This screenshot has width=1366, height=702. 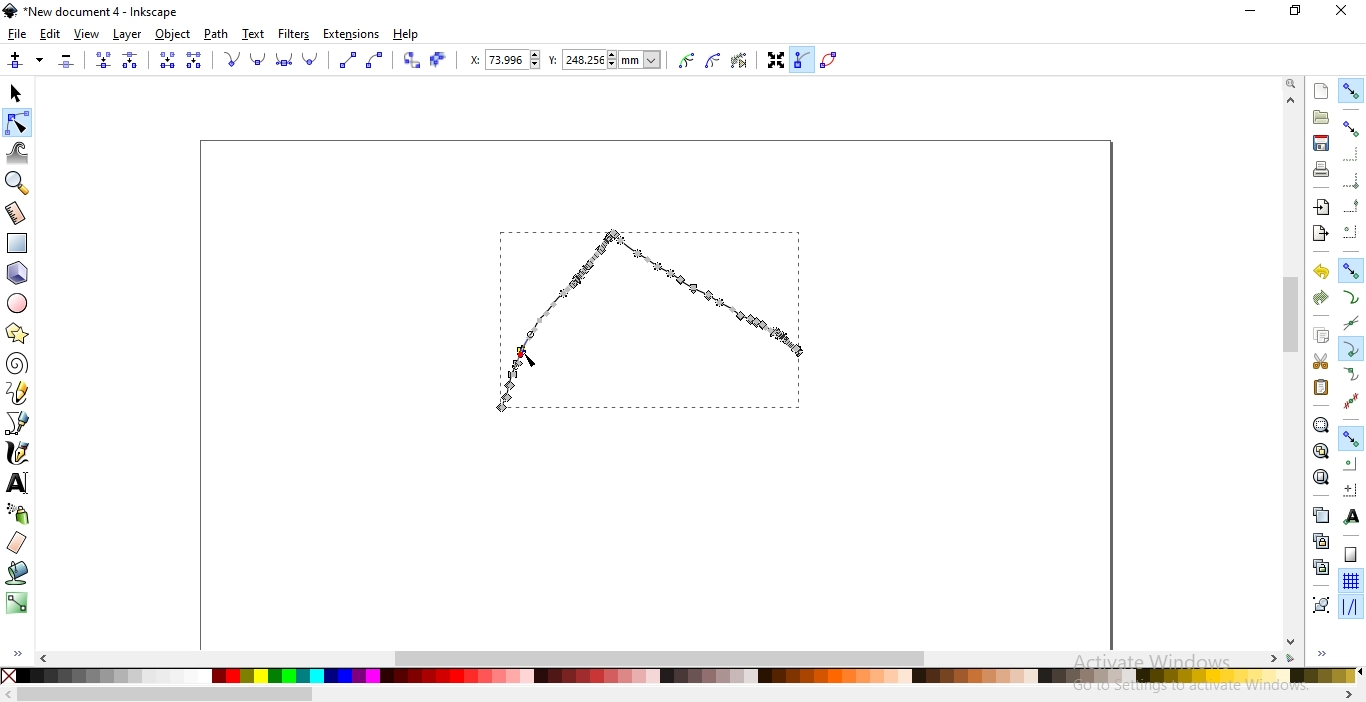 I want to click on insert new nodes into selected segments, so click(x=40, y=60).